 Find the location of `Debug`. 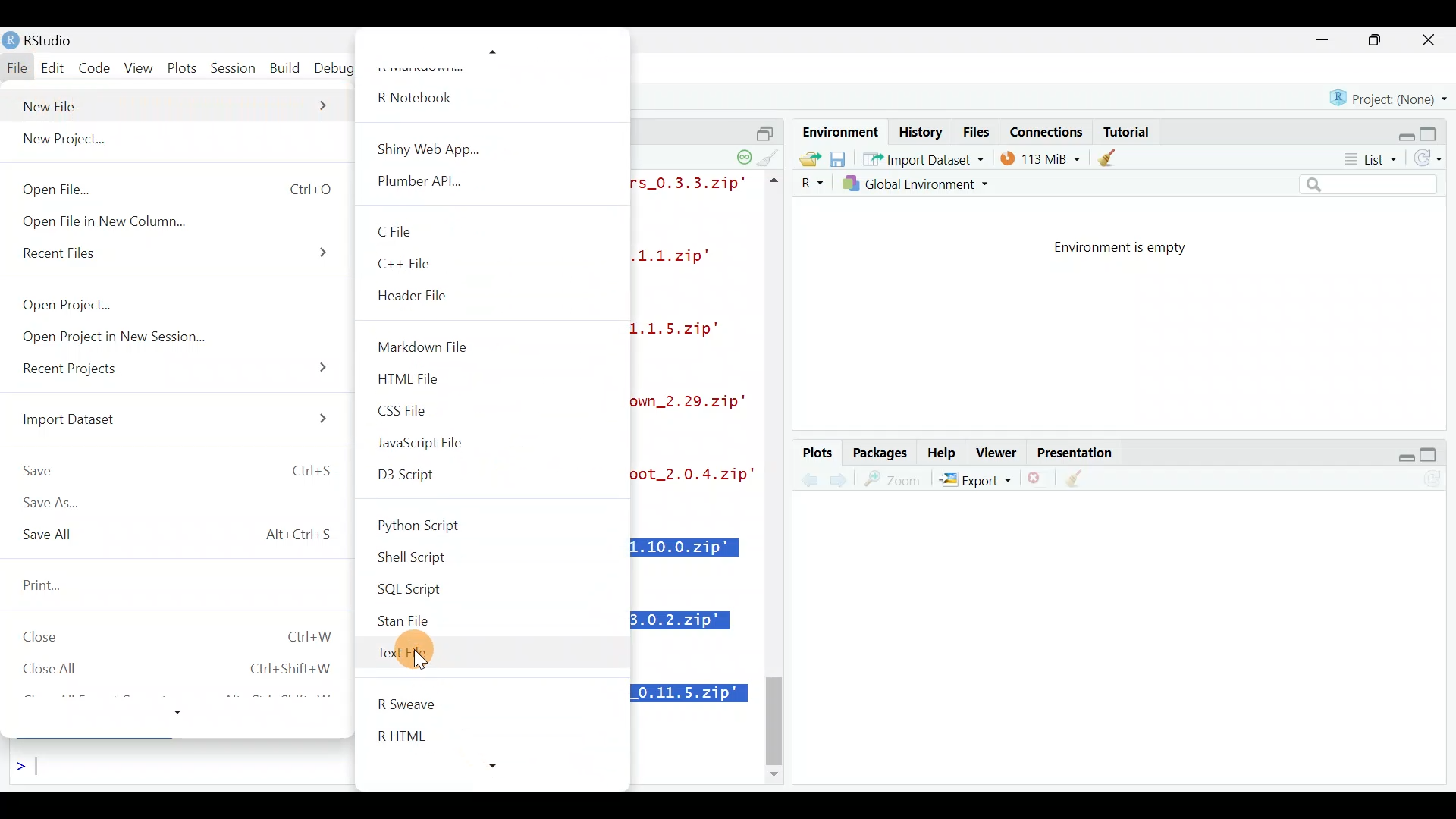

Debug is located at coordinates (333, 69).